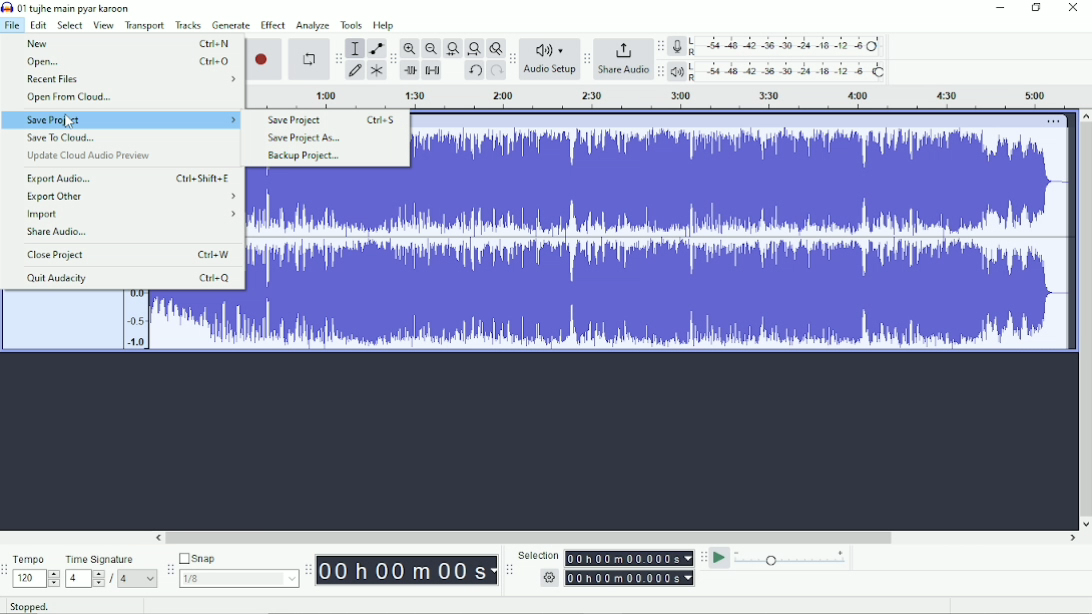  I want to click on Quit Audacity, so click(128, 279).